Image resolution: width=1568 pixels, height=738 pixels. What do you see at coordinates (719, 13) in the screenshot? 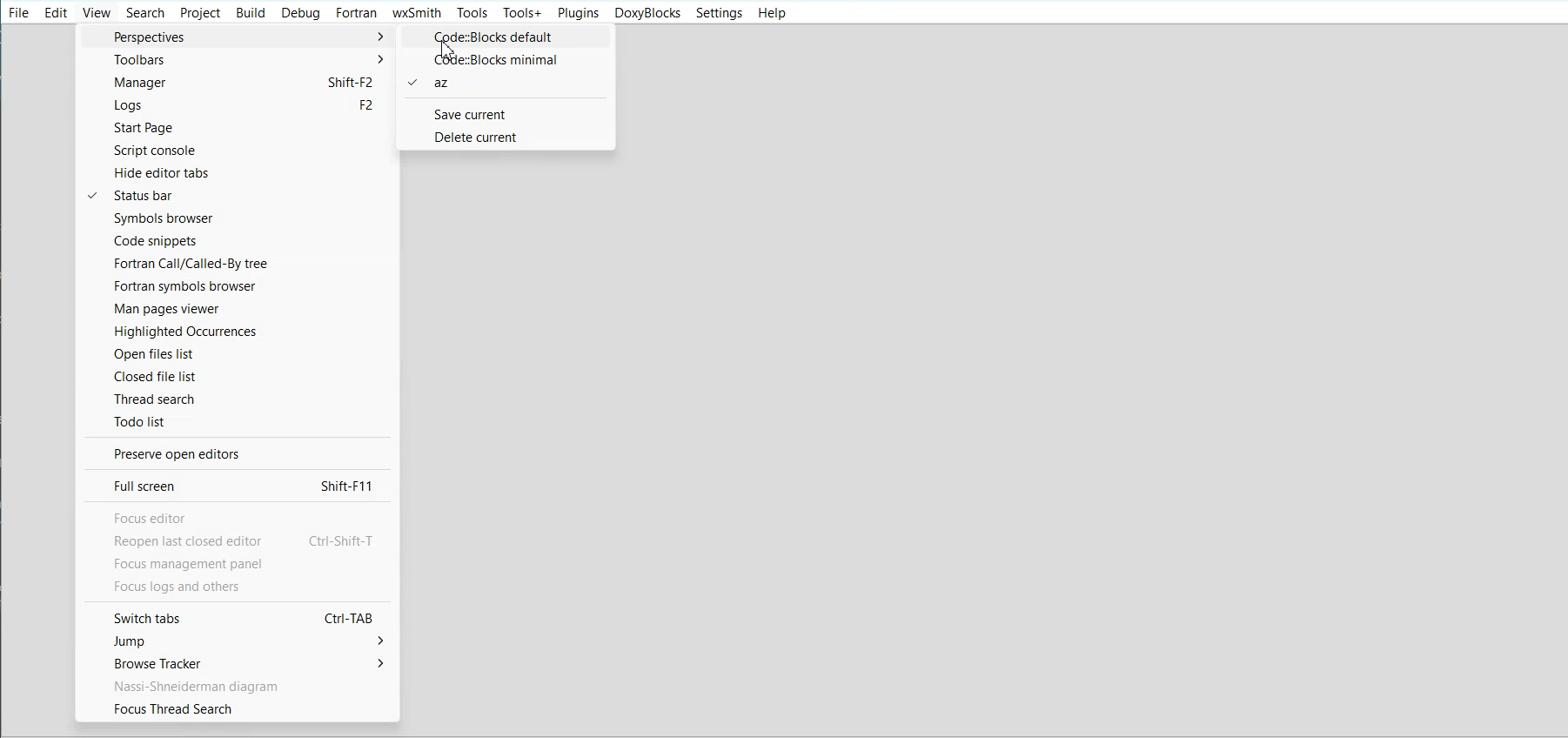
I see `Settings` at bounding box center [719, 13].